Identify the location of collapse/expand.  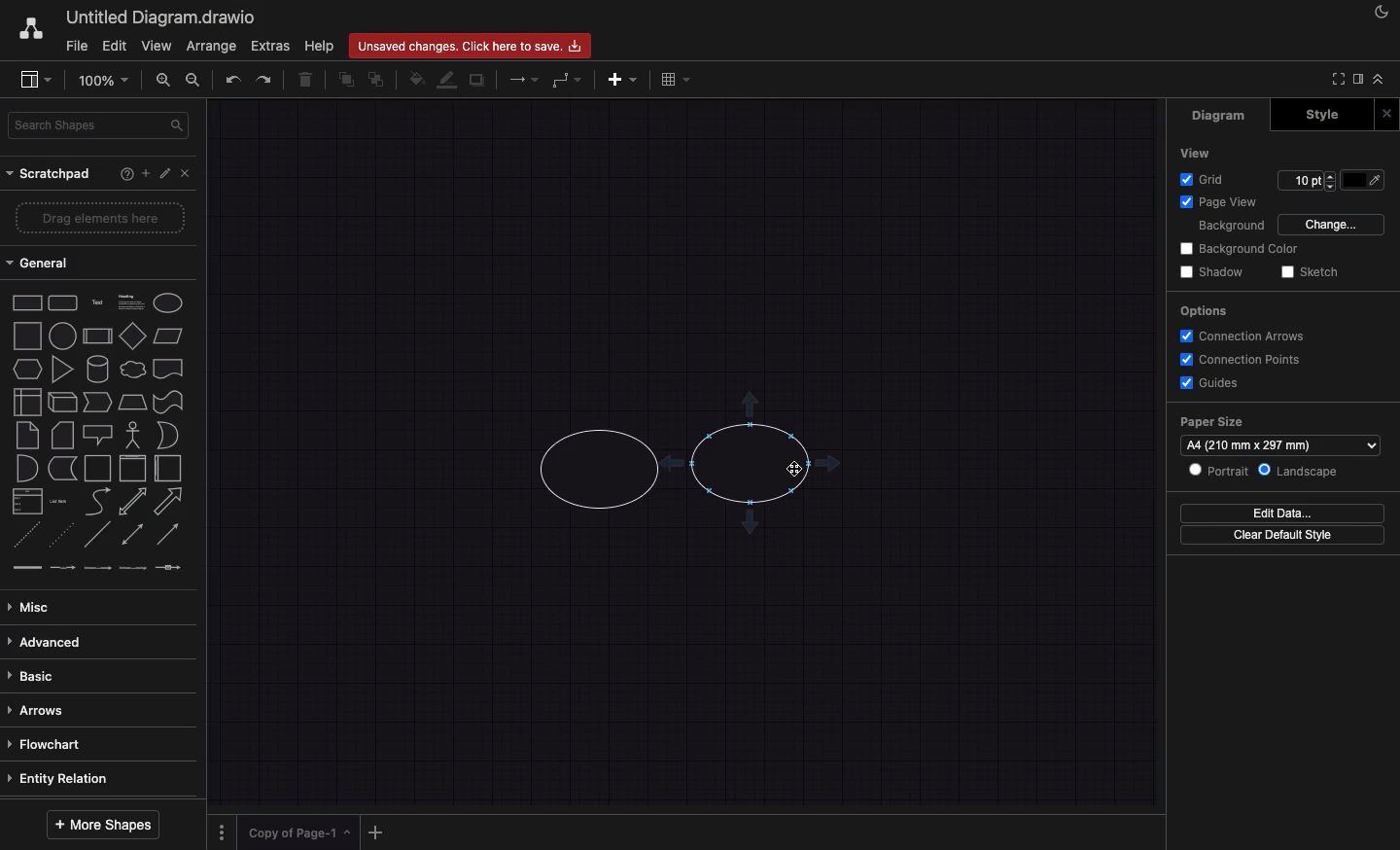
(1382, 78).